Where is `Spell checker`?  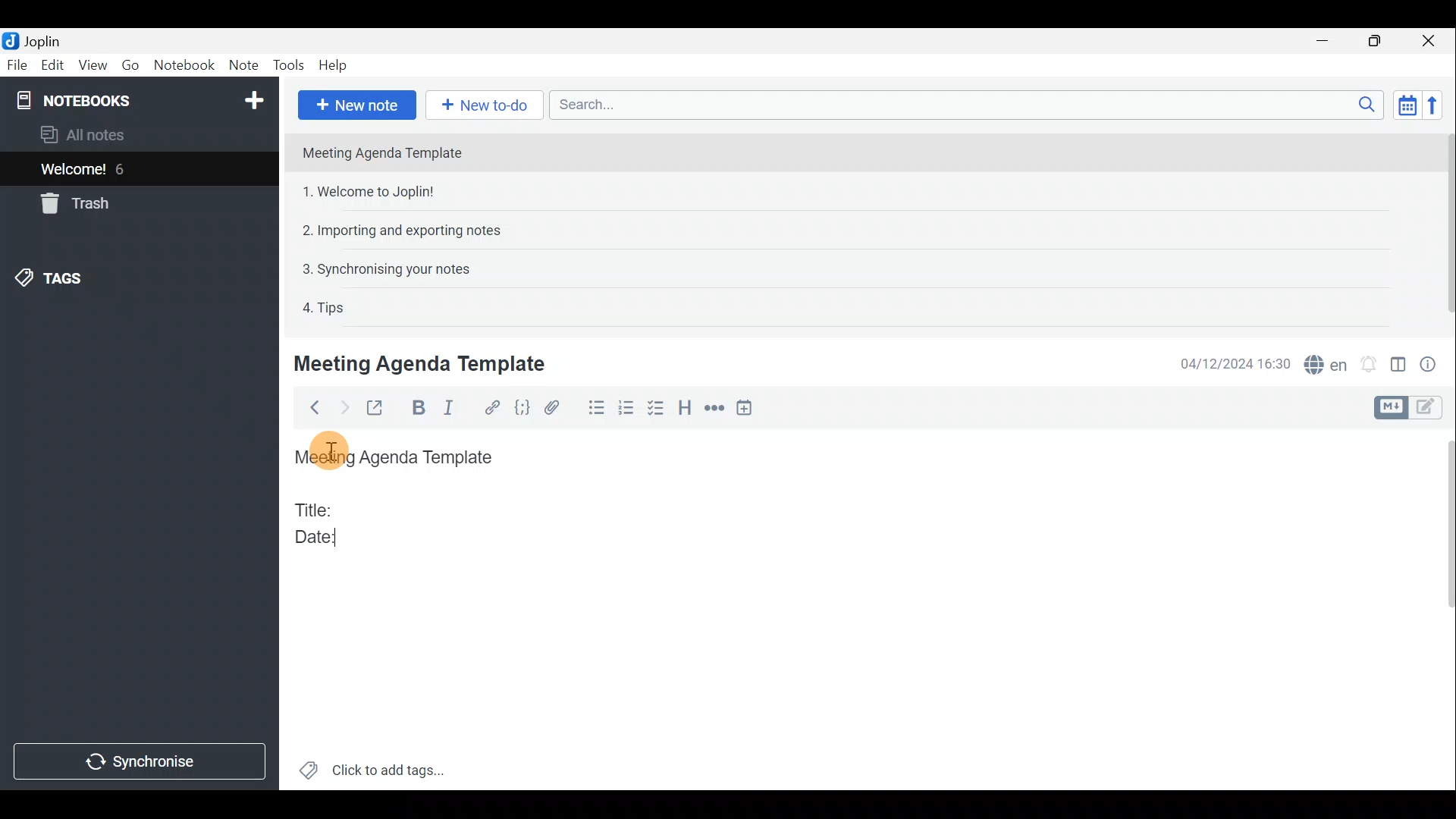
Spell checker is located at coordinates (1327, 362).